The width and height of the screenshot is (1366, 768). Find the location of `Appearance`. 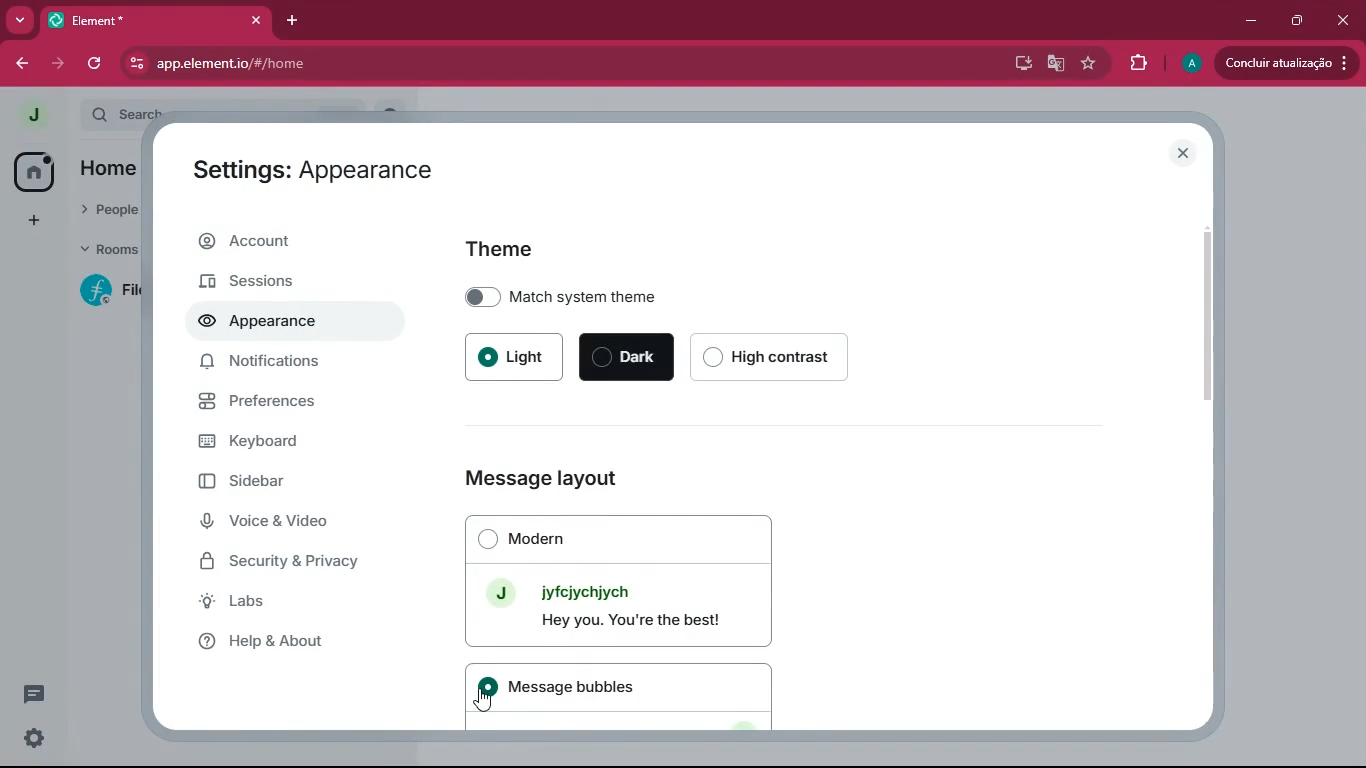

Appearance is located at coordinates (267, 319).